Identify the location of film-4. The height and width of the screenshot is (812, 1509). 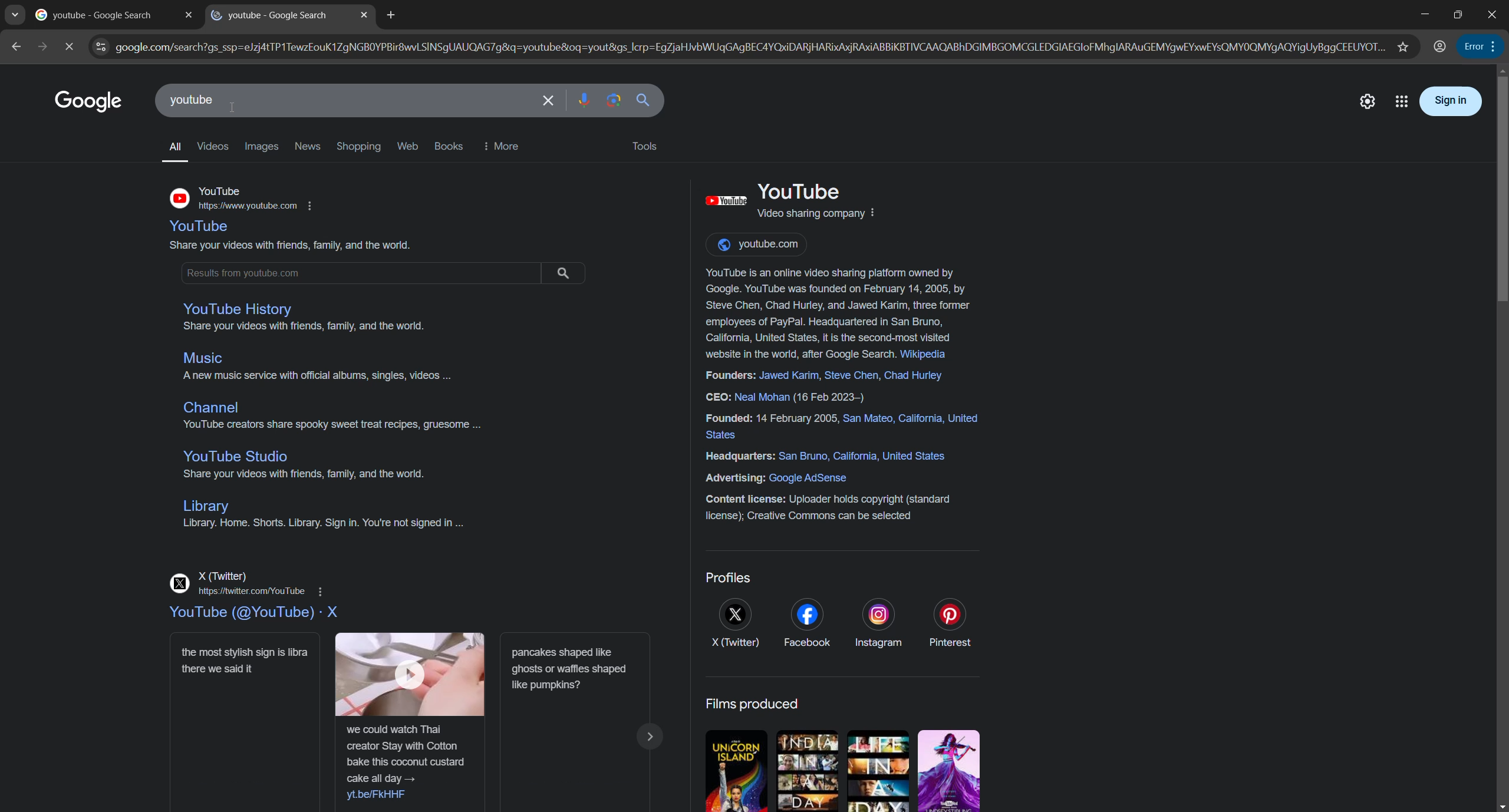
(950, 770).